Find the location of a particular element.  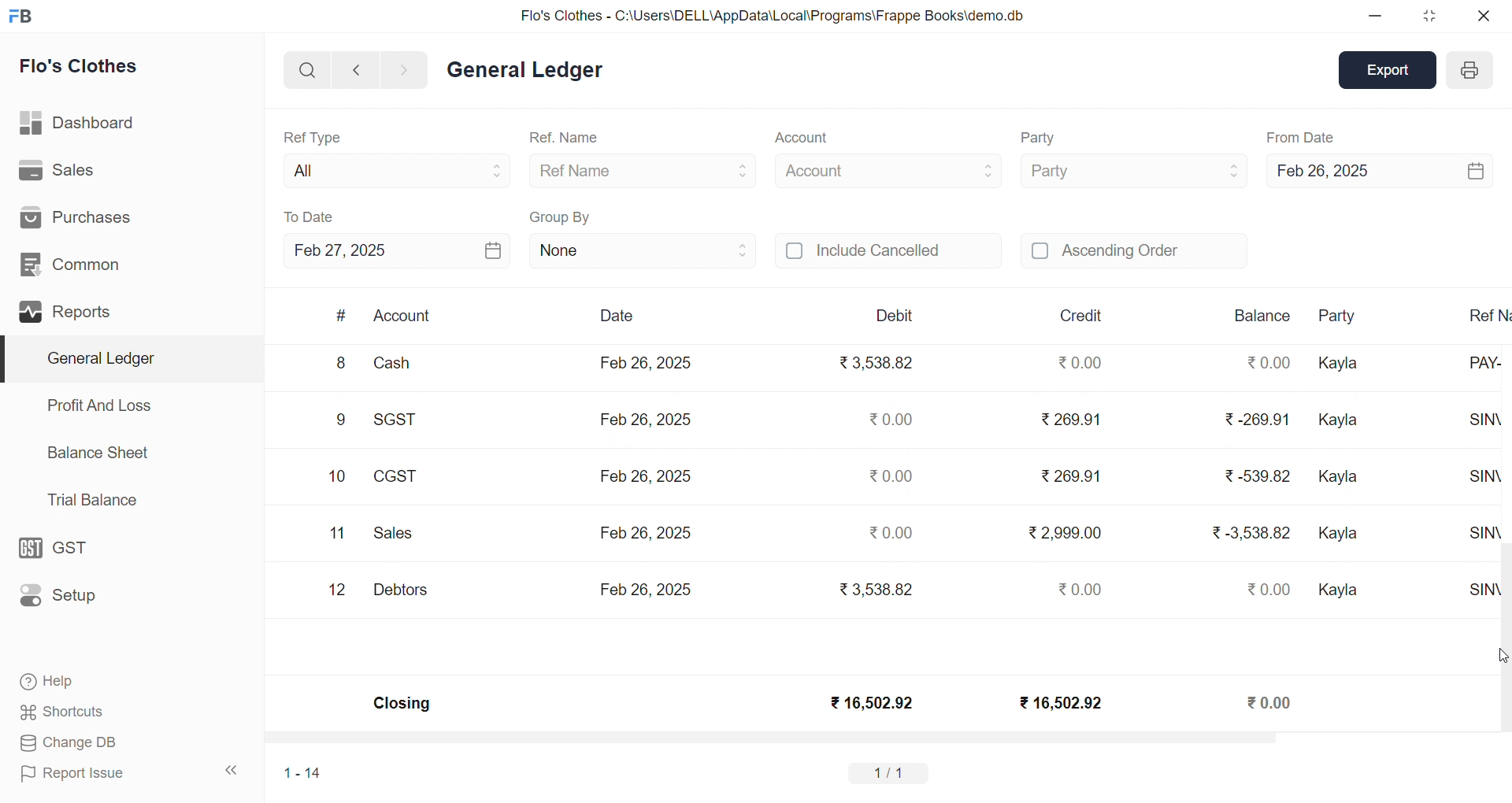

Sales is located at coordinates (397, 535).